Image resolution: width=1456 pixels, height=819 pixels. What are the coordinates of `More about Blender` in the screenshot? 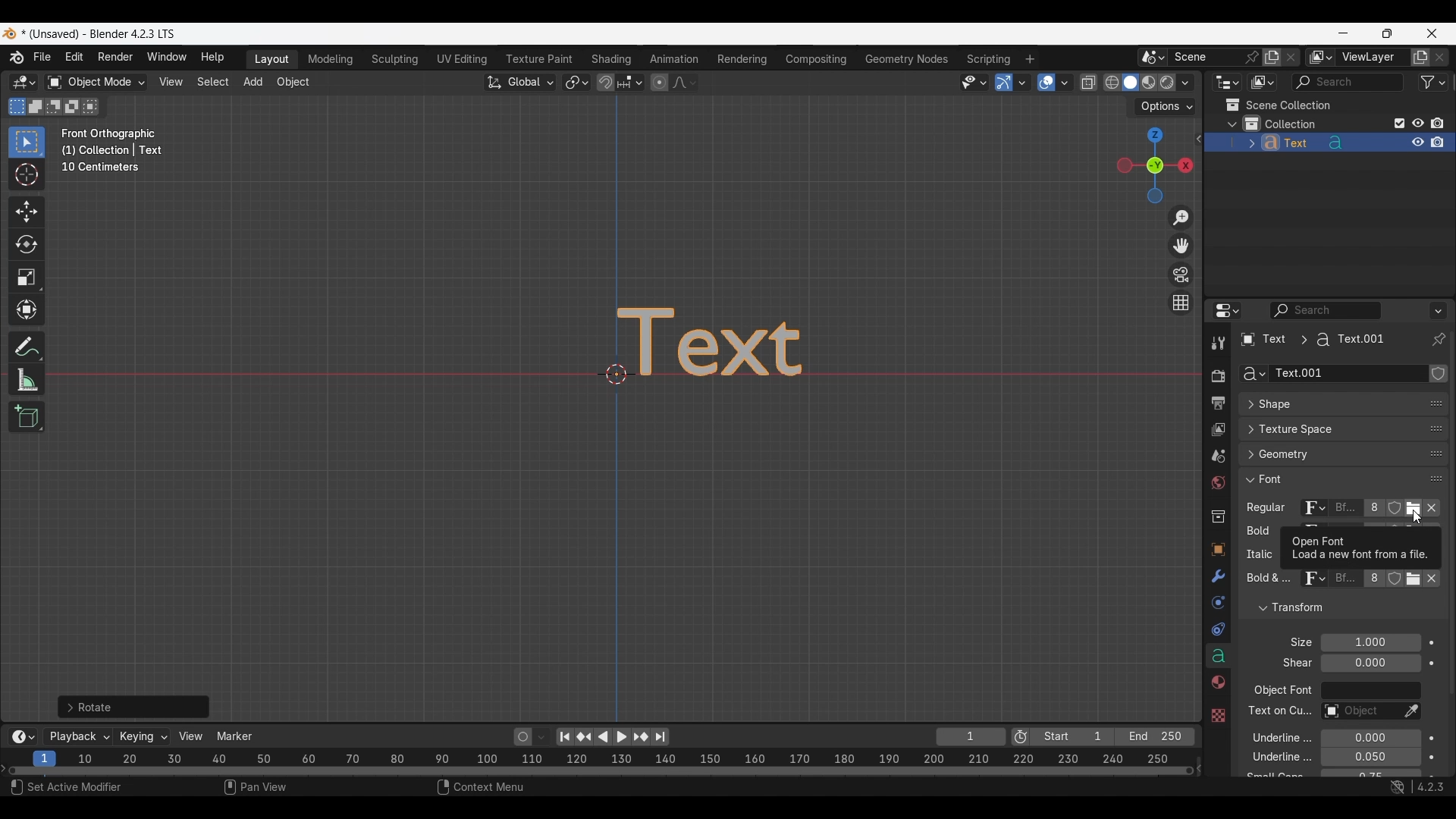 It's located at (17, 58).